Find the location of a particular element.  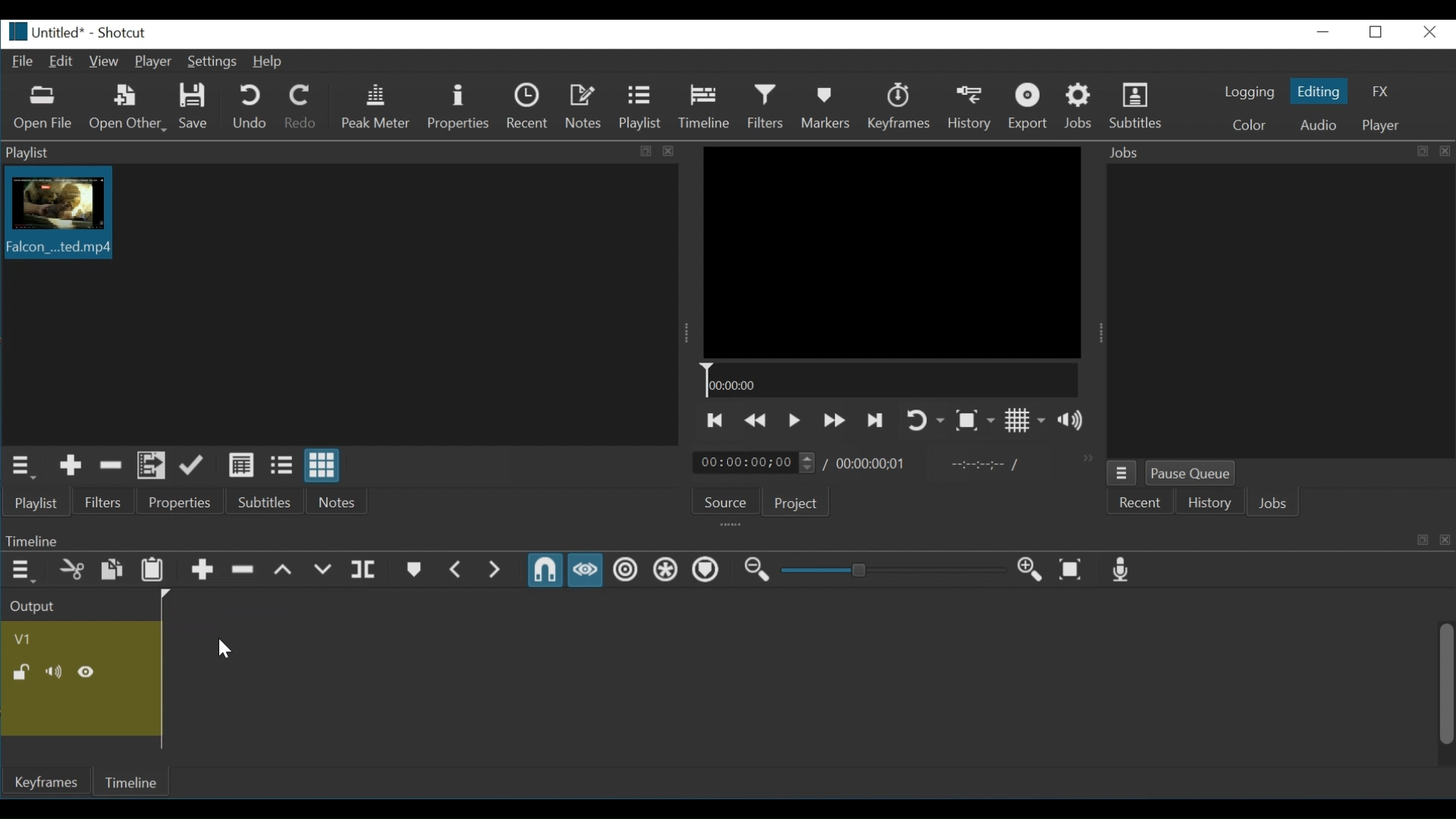

Player is located at coordinates (1379, 126).